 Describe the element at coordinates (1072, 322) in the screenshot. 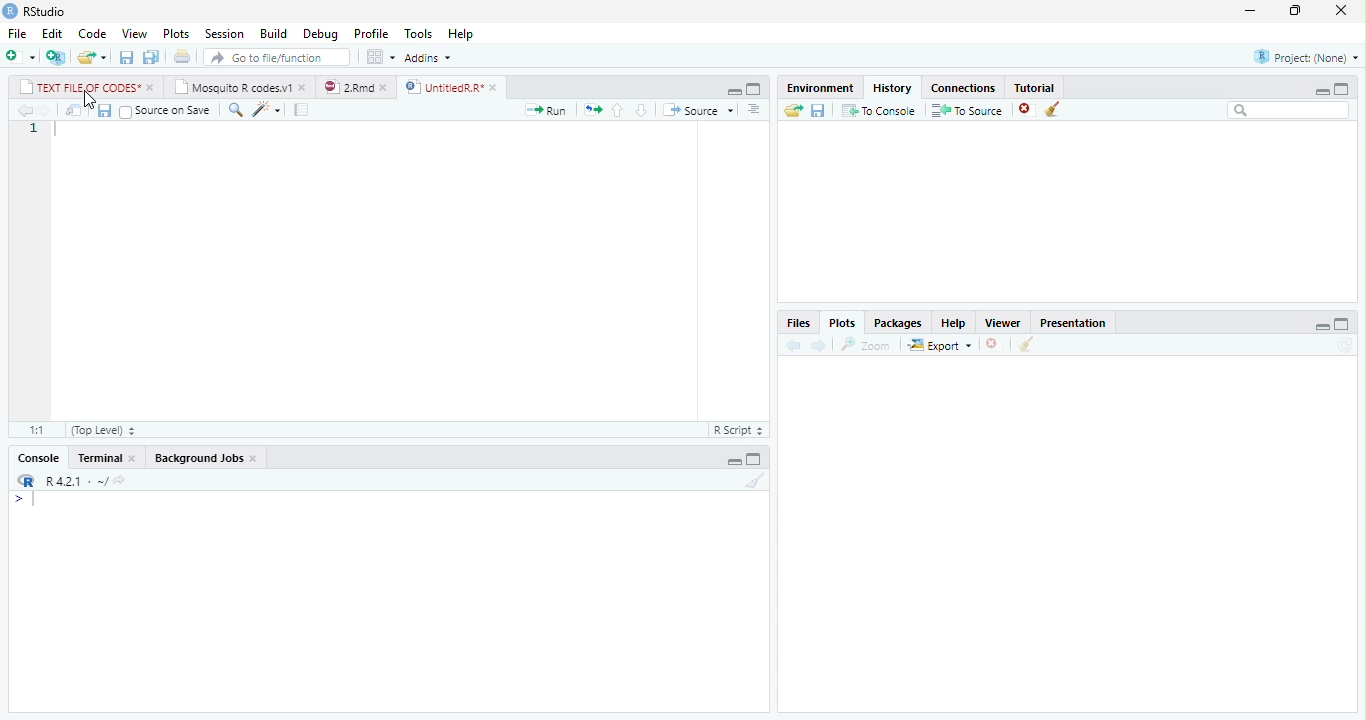

I see `Presentation` at that location.